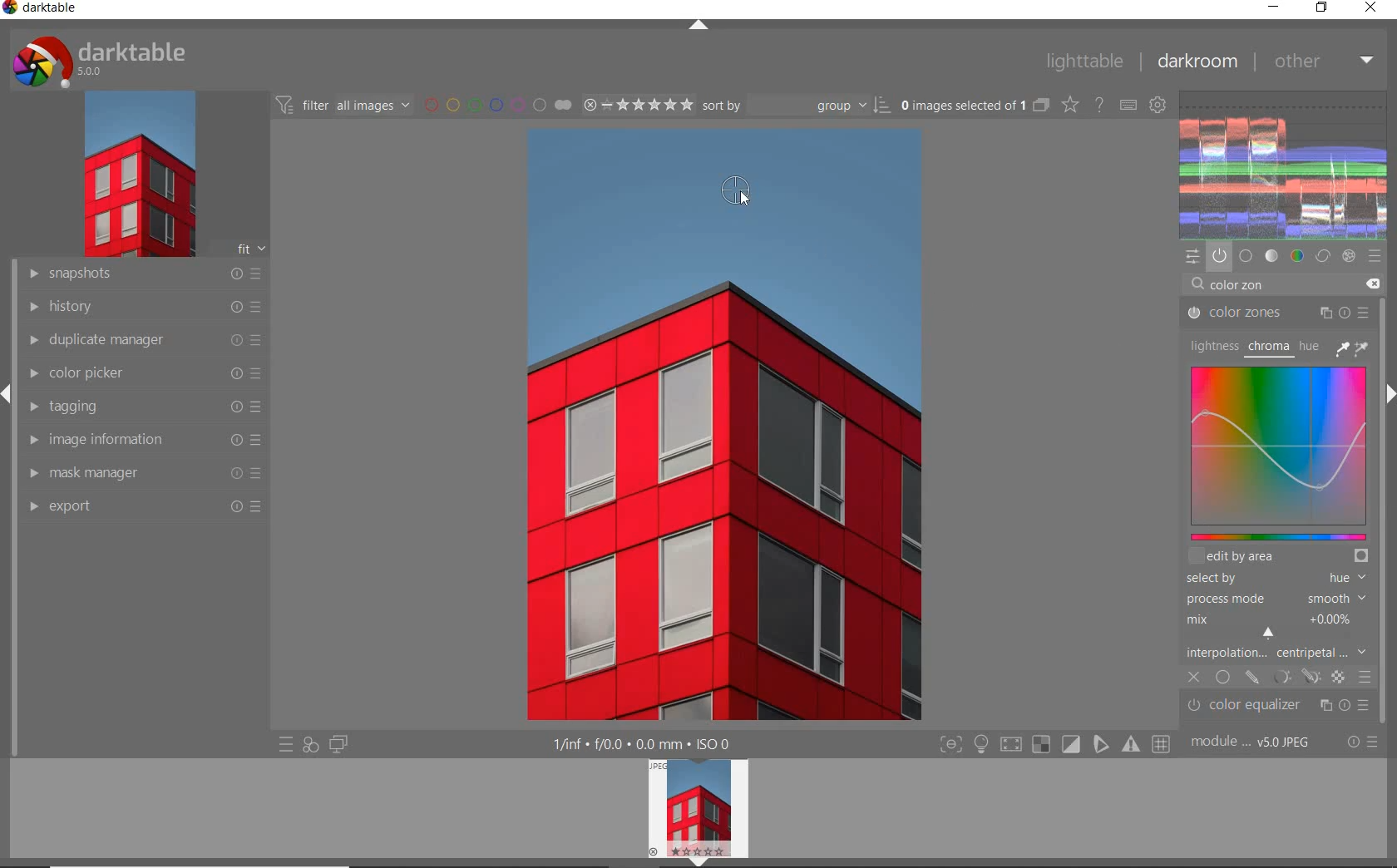 This screenshot has width=1397, height=868. Describe the element at coordinates (1083, 62) in the screenshot. I see `lighttable` at that location.